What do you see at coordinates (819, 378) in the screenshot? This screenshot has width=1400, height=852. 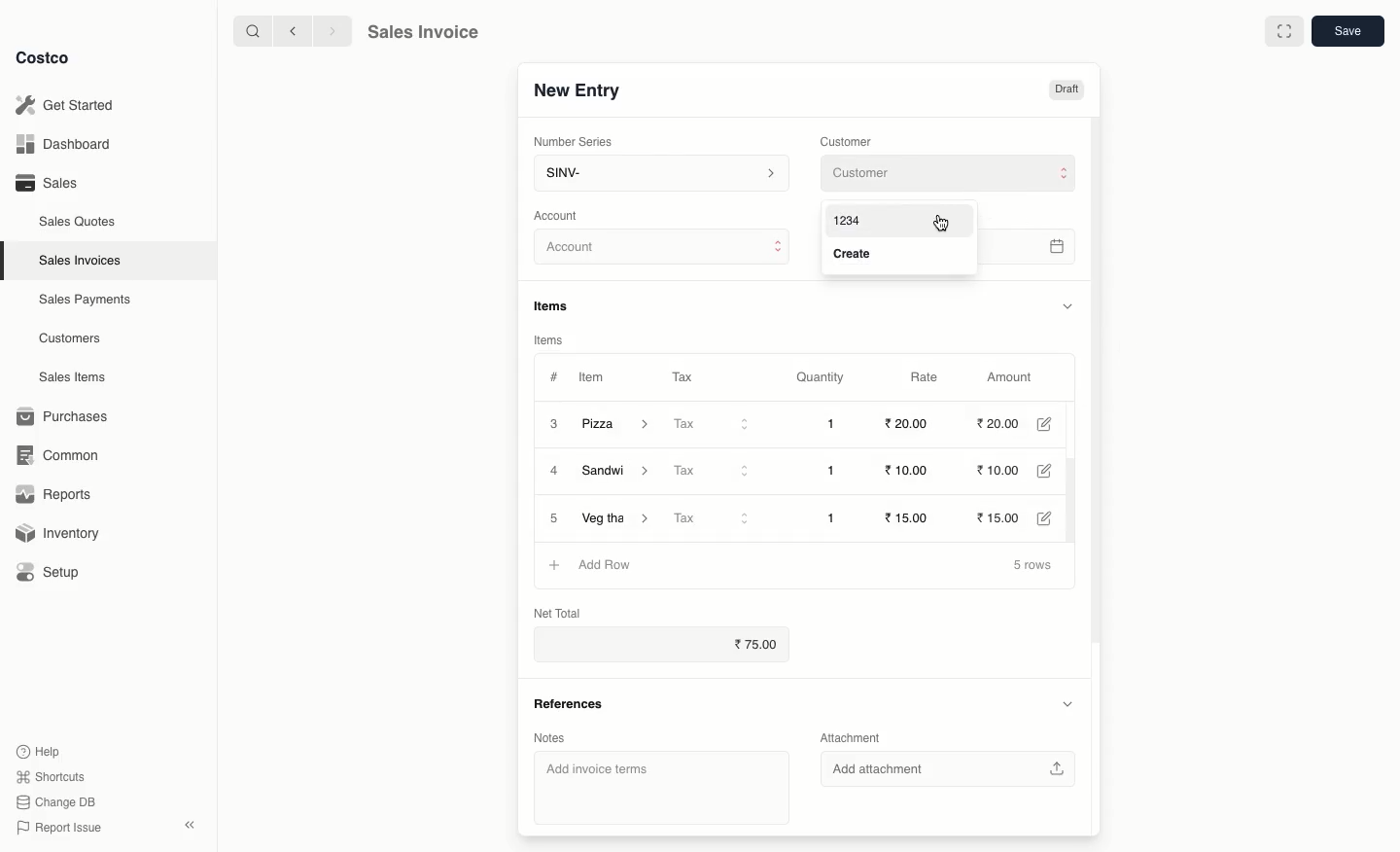 I see `Quantity` at bounding box center [819, 378].